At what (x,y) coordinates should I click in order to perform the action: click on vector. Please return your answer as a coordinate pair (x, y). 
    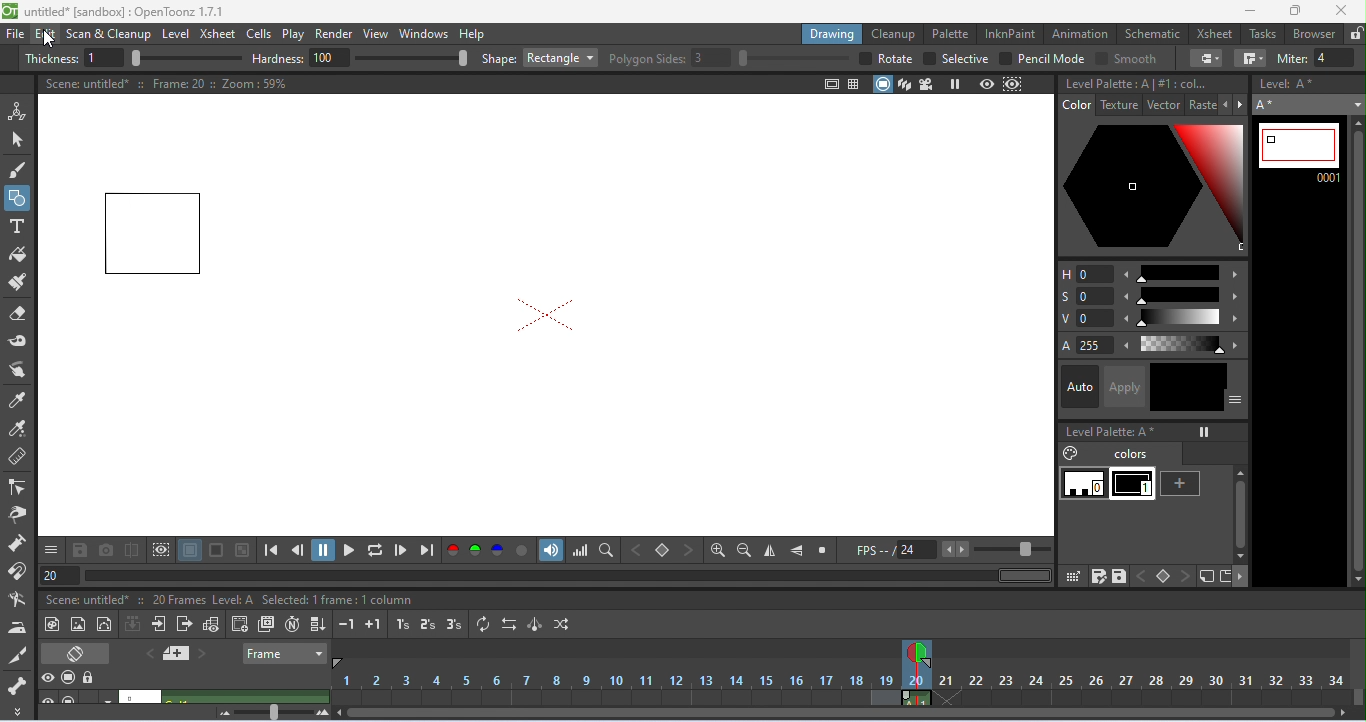
    Looking at the image, I should click on (1165, 104).